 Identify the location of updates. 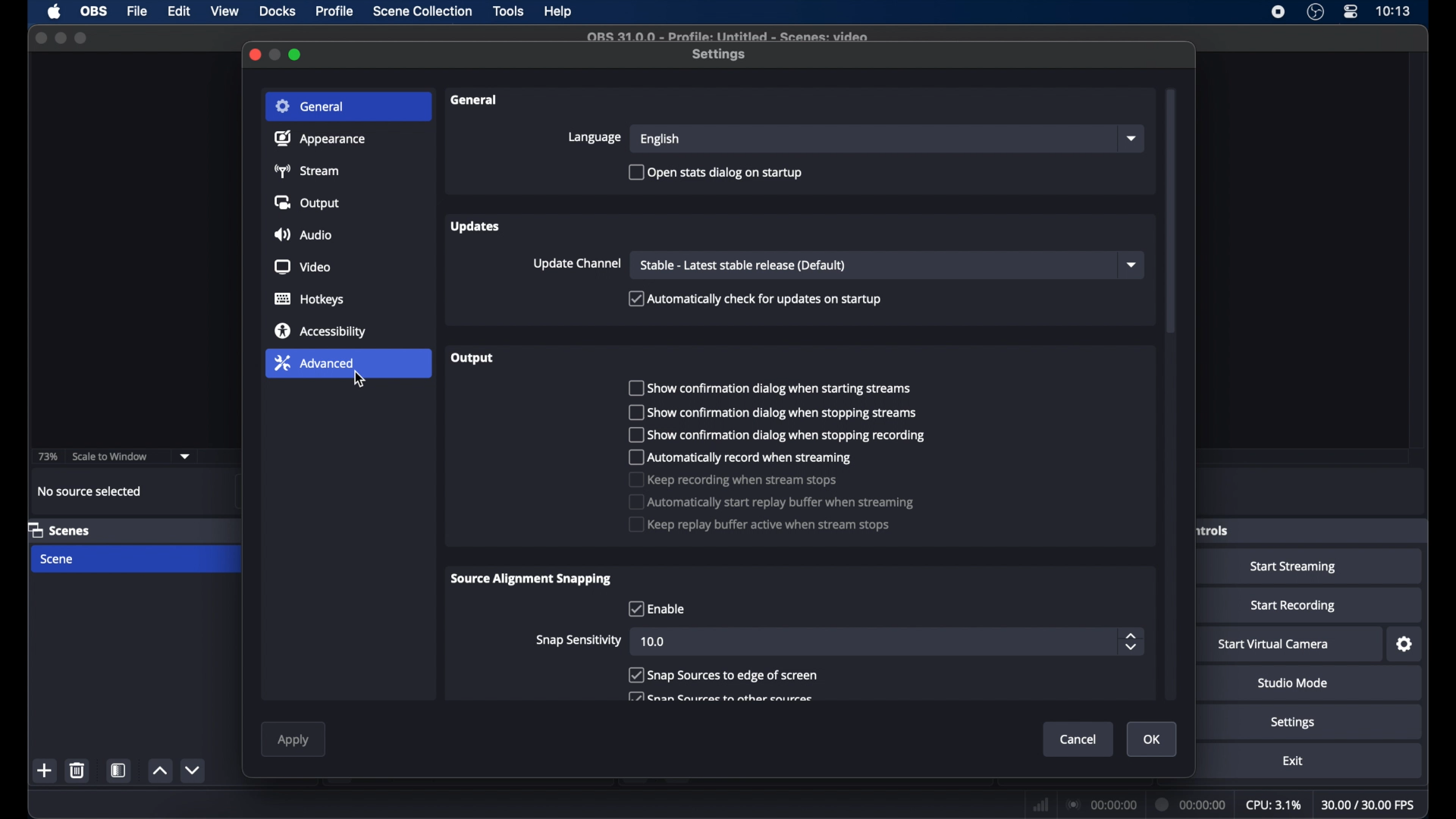
(476, 227).